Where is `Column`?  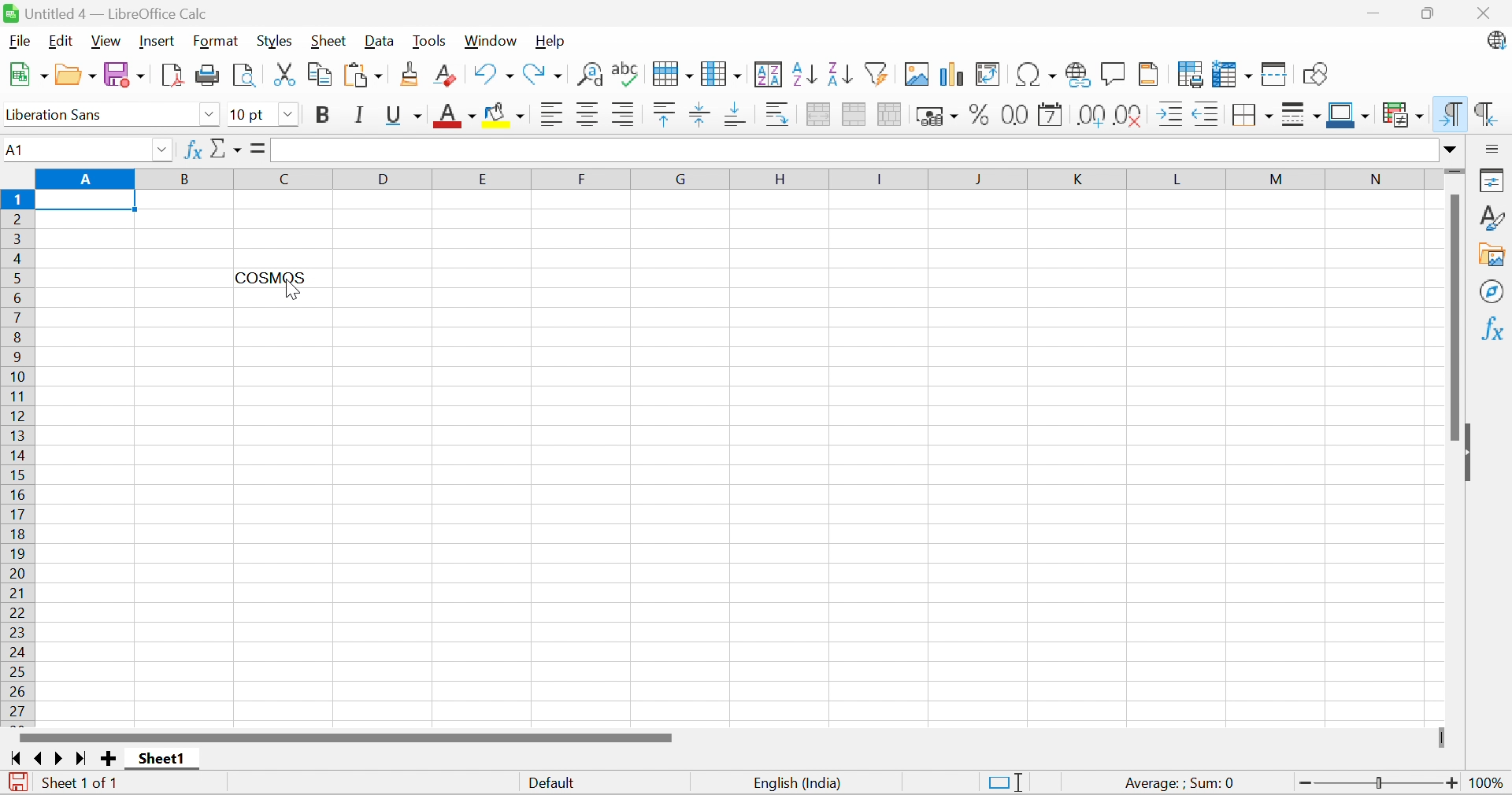
Column is located at coordinates (721, 72).